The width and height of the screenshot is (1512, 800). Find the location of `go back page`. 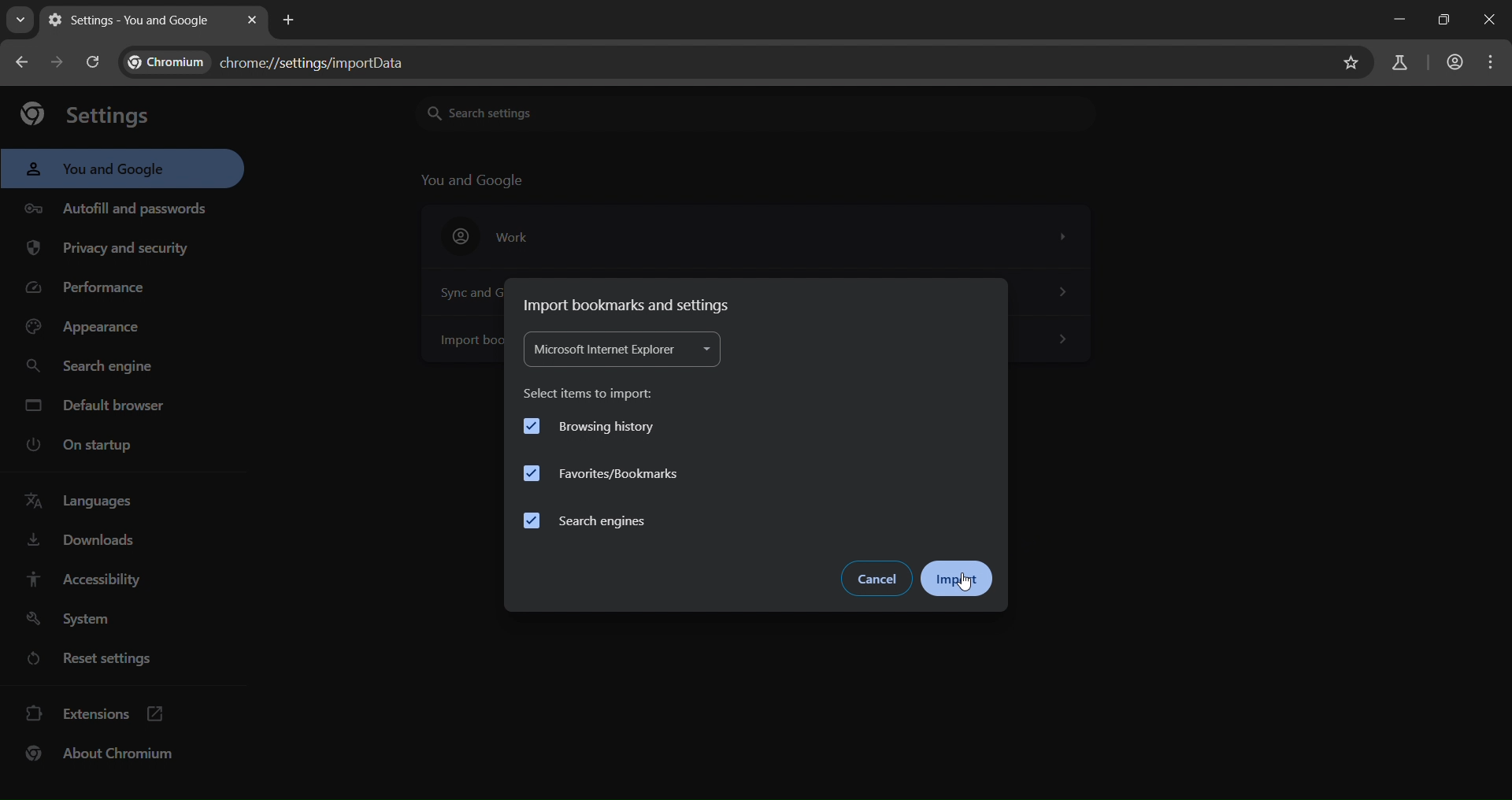

go back page is located at coordinates (25, 61).